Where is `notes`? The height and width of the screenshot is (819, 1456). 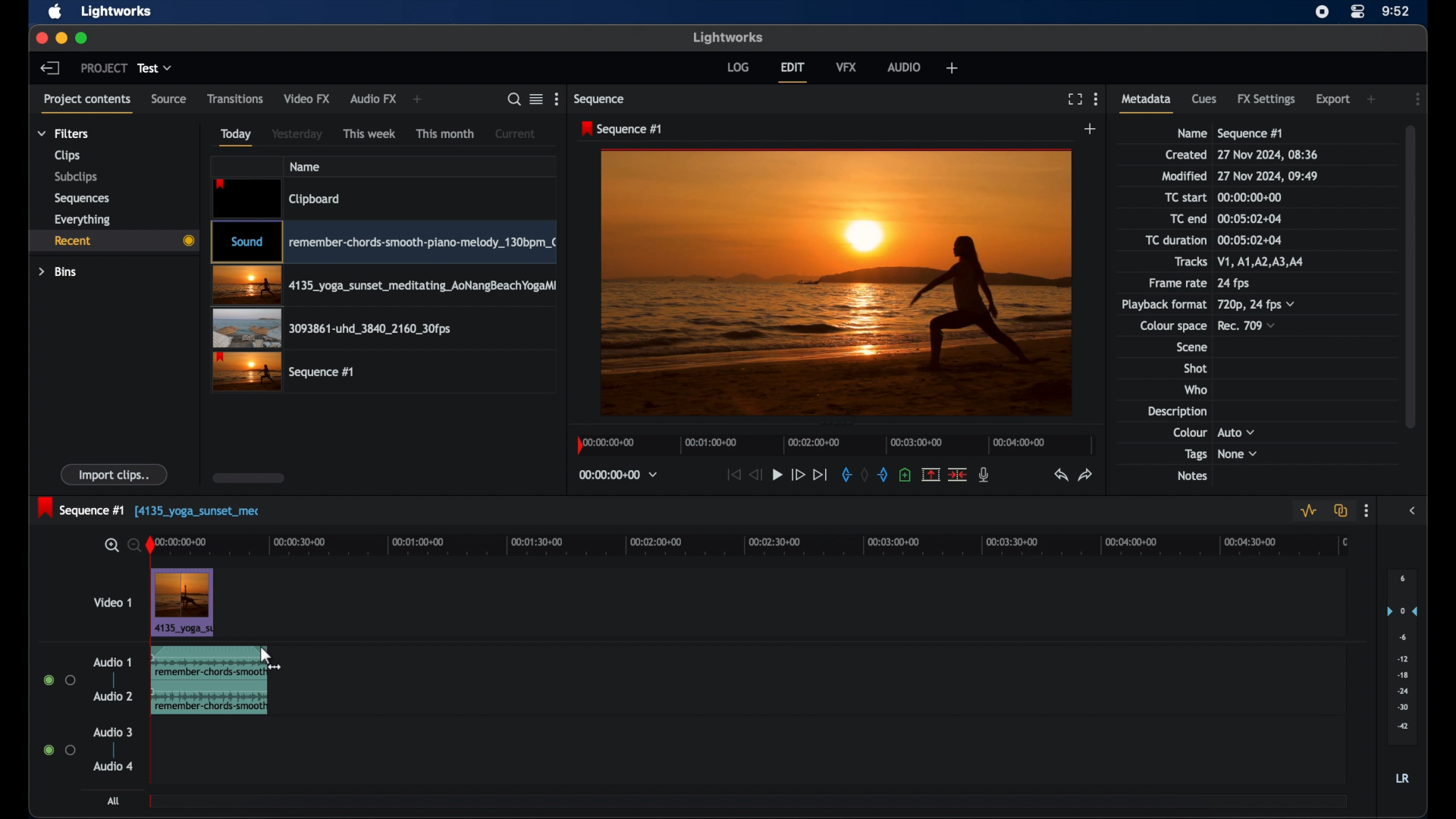 notes is located at coordinates (1191, 476).